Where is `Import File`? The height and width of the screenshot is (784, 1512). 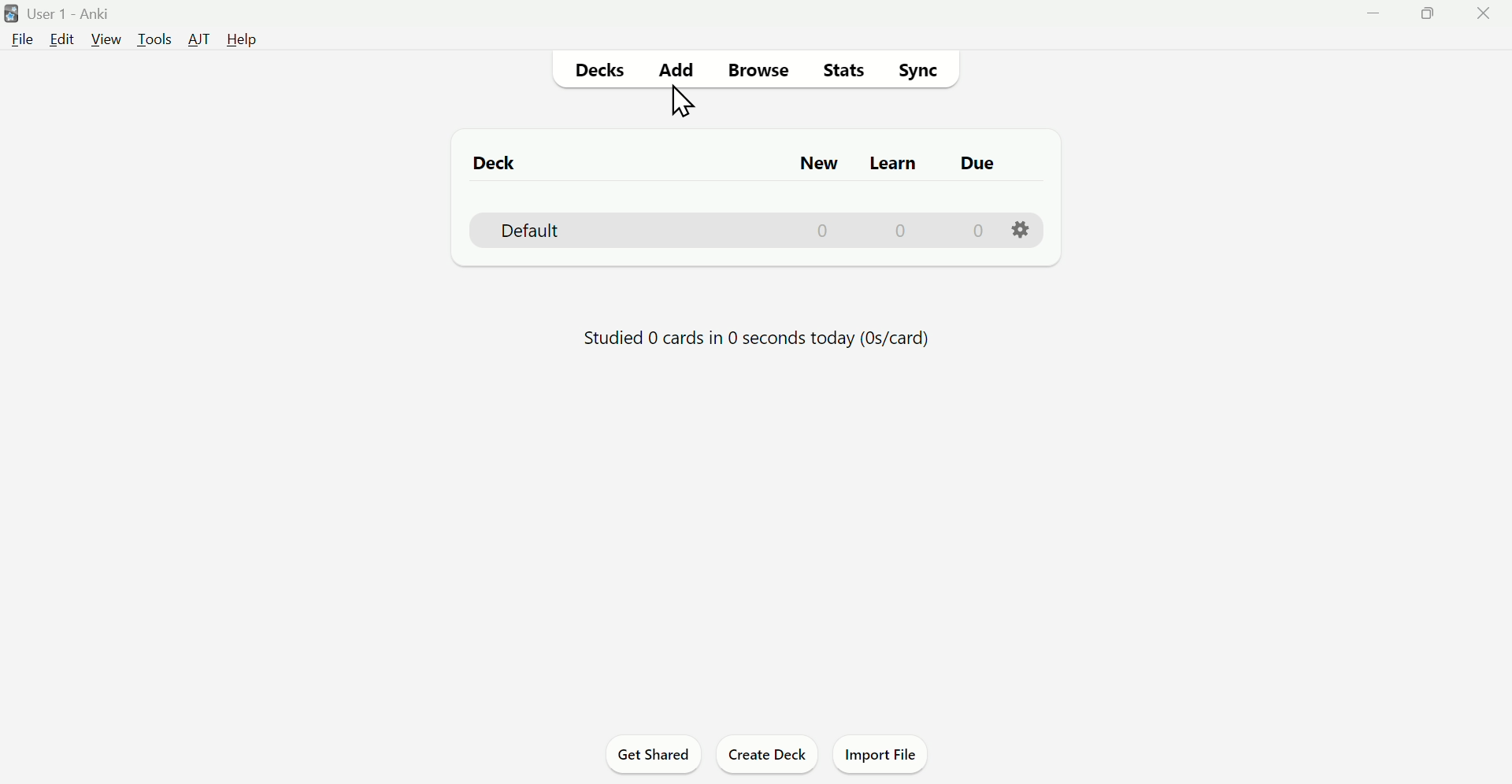 Import File is located at coordinates (882, 753).